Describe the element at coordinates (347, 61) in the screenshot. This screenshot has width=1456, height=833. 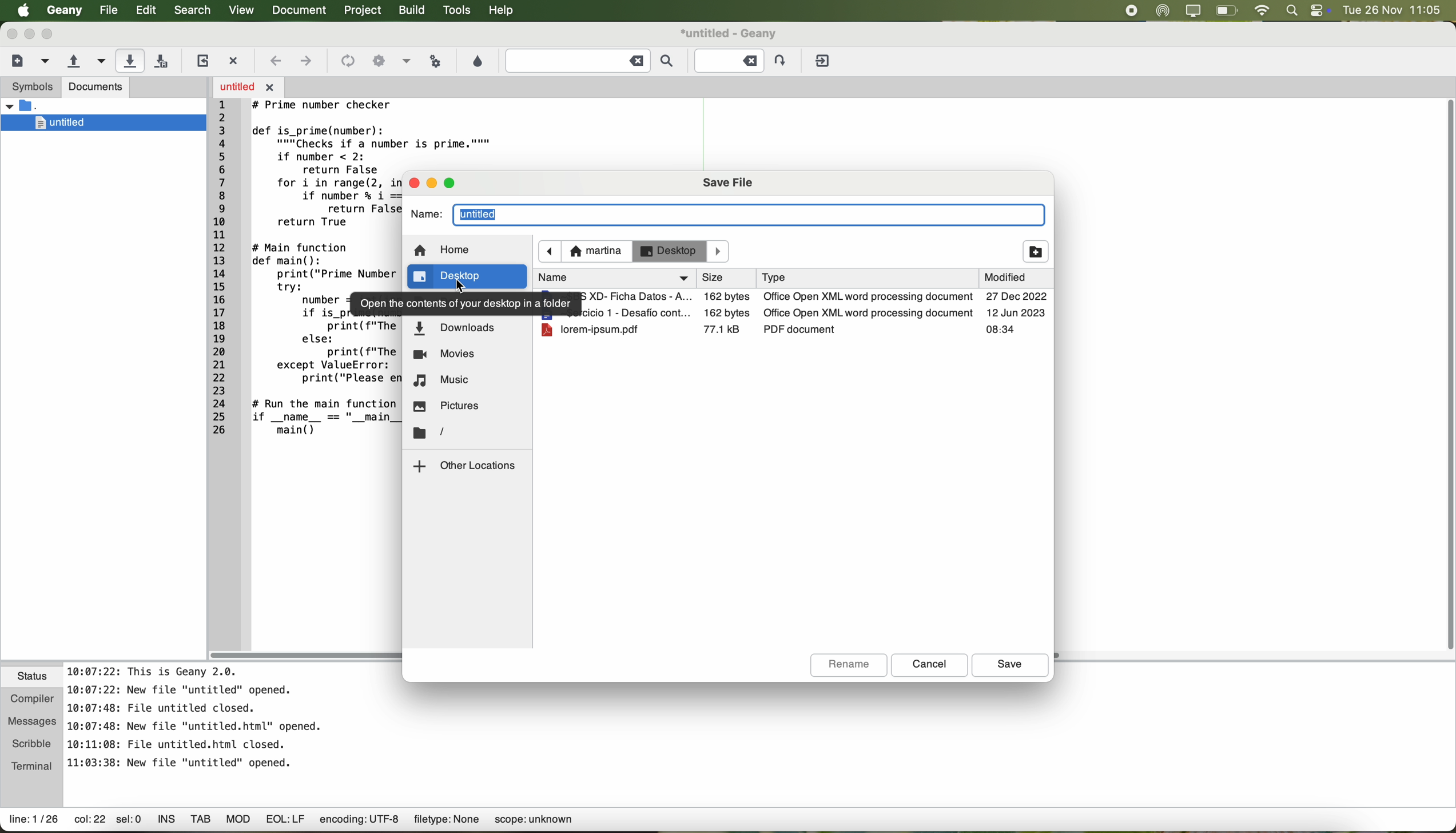
I see `icon` at that location.